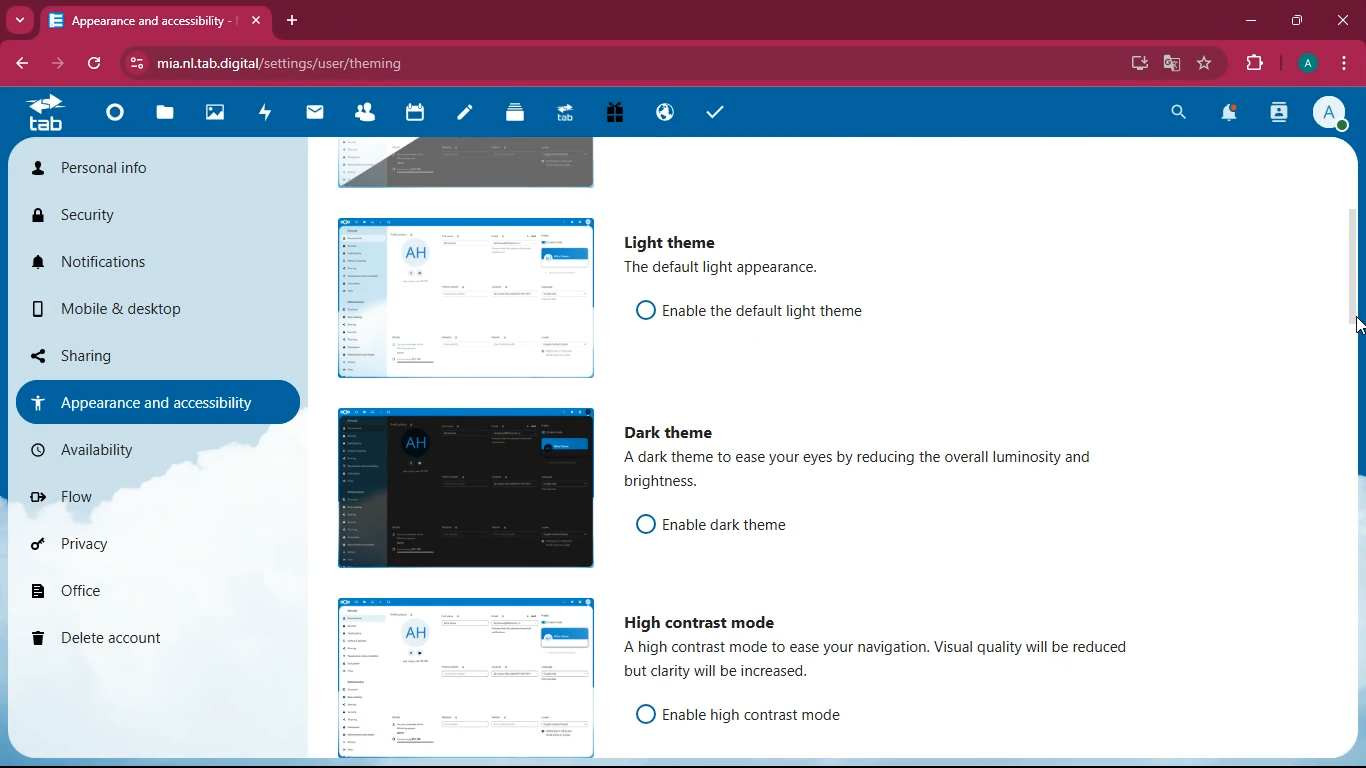 The image size is (1366, 768). Describe the element at coordinates (412, 115) in the screenshot. I see `calendar` at that location.